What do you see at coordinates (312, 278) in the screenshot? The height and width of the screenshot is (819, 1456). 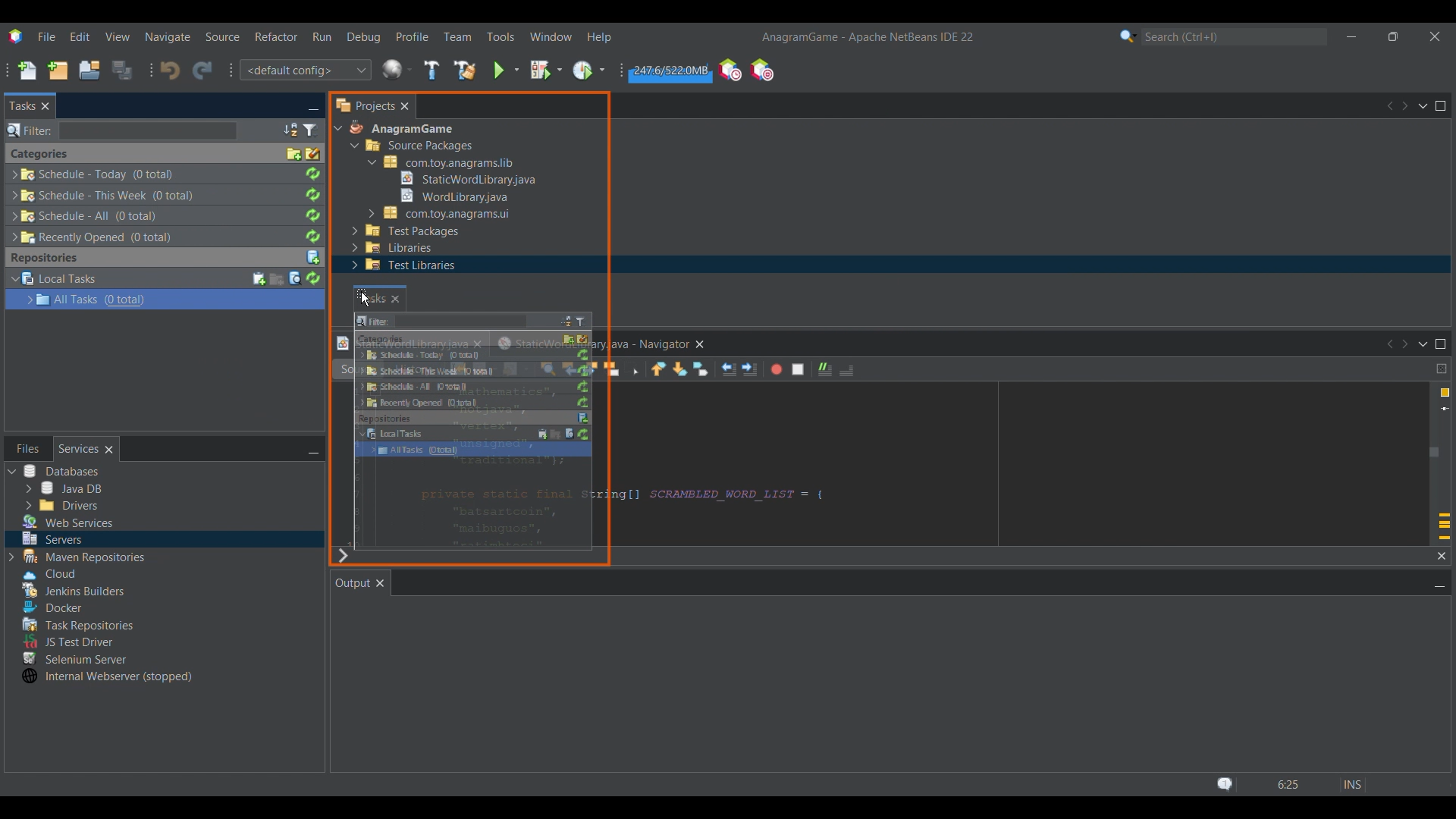 I see `Refresh` at bounding box center [312, 278].